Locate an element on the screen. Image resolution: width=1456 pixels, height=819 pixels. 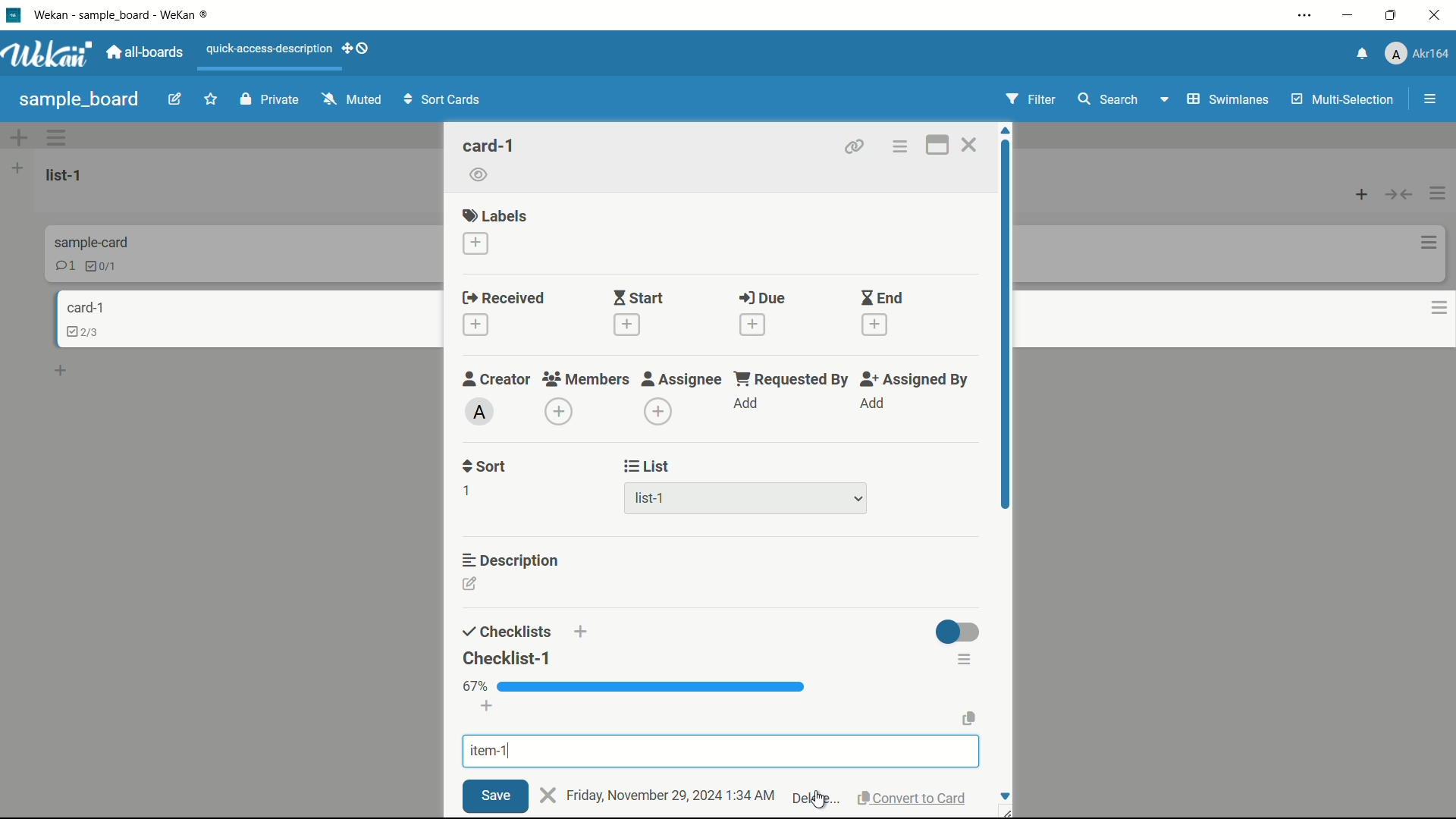
Wekan - sample_board - Wekan is located at coordinates (124, 15).